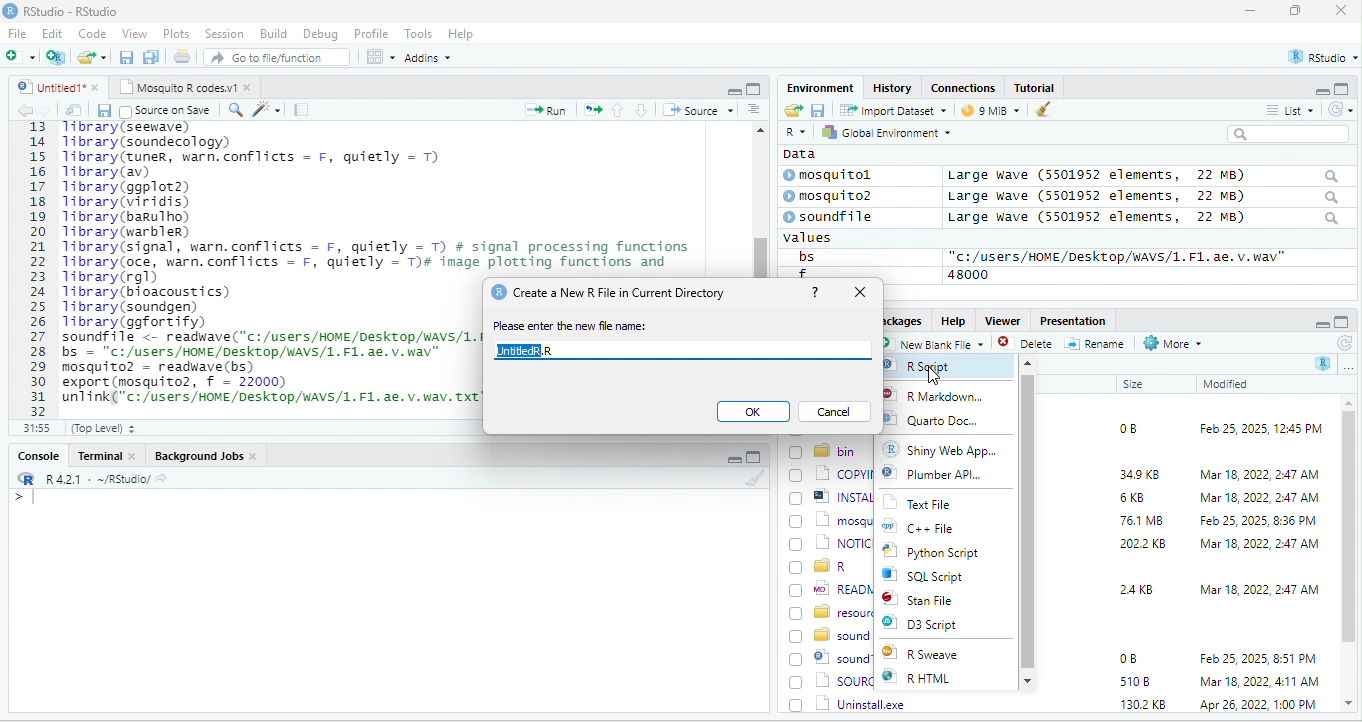 Image resolution: width=1362 pixels, height=722 pixels. What do you see at coordinates (1344, 320) in the screenshot?
I see `maximize` at bounding box center [1344, 320].